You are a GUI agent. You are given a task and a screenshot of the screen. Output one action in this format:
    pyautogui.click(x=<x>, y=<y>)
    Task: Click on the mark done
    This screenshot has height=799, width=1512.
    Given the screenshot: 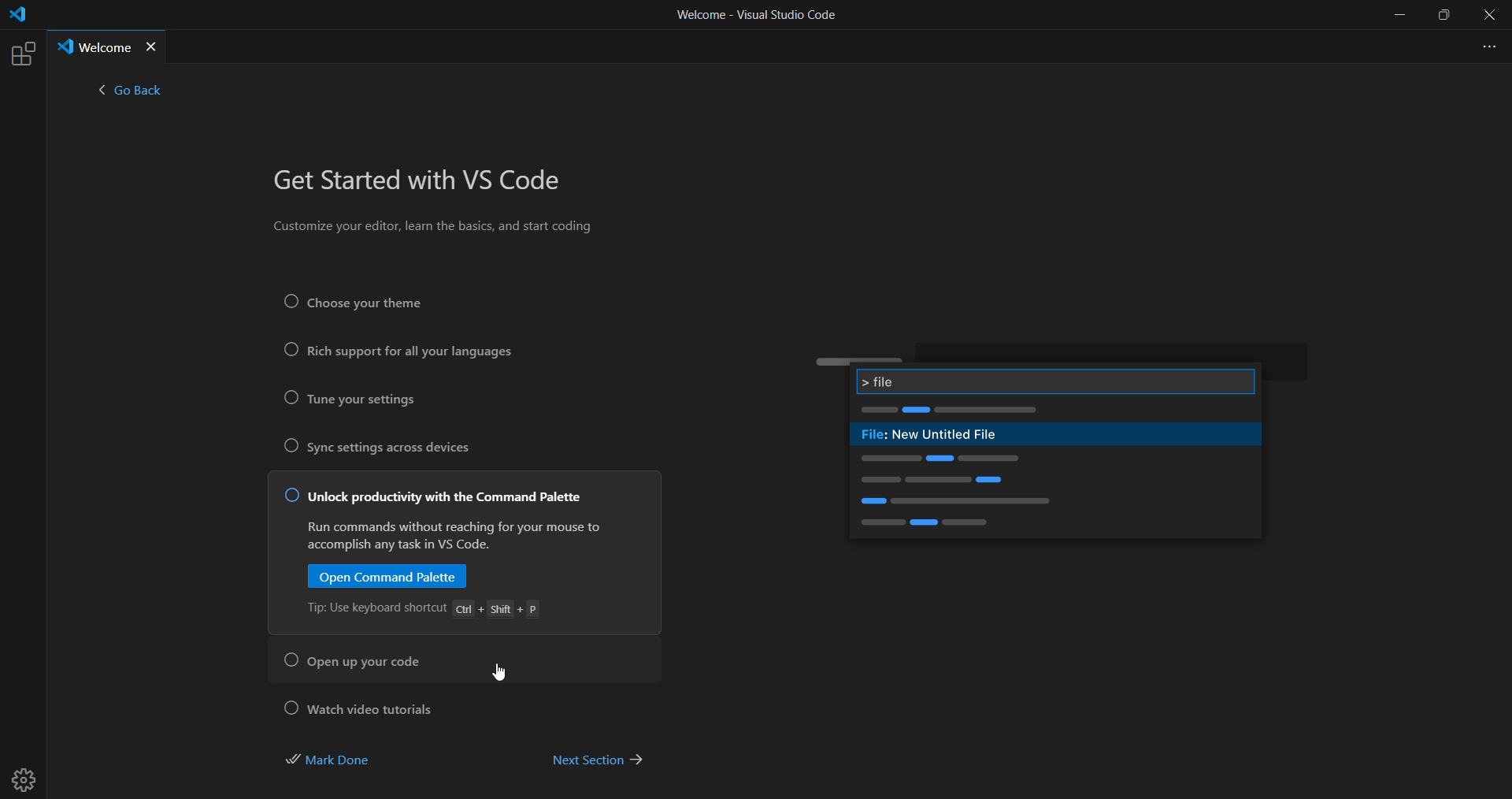 What is the action you would take?
    pyautogui.click(x=339, y=758)
    